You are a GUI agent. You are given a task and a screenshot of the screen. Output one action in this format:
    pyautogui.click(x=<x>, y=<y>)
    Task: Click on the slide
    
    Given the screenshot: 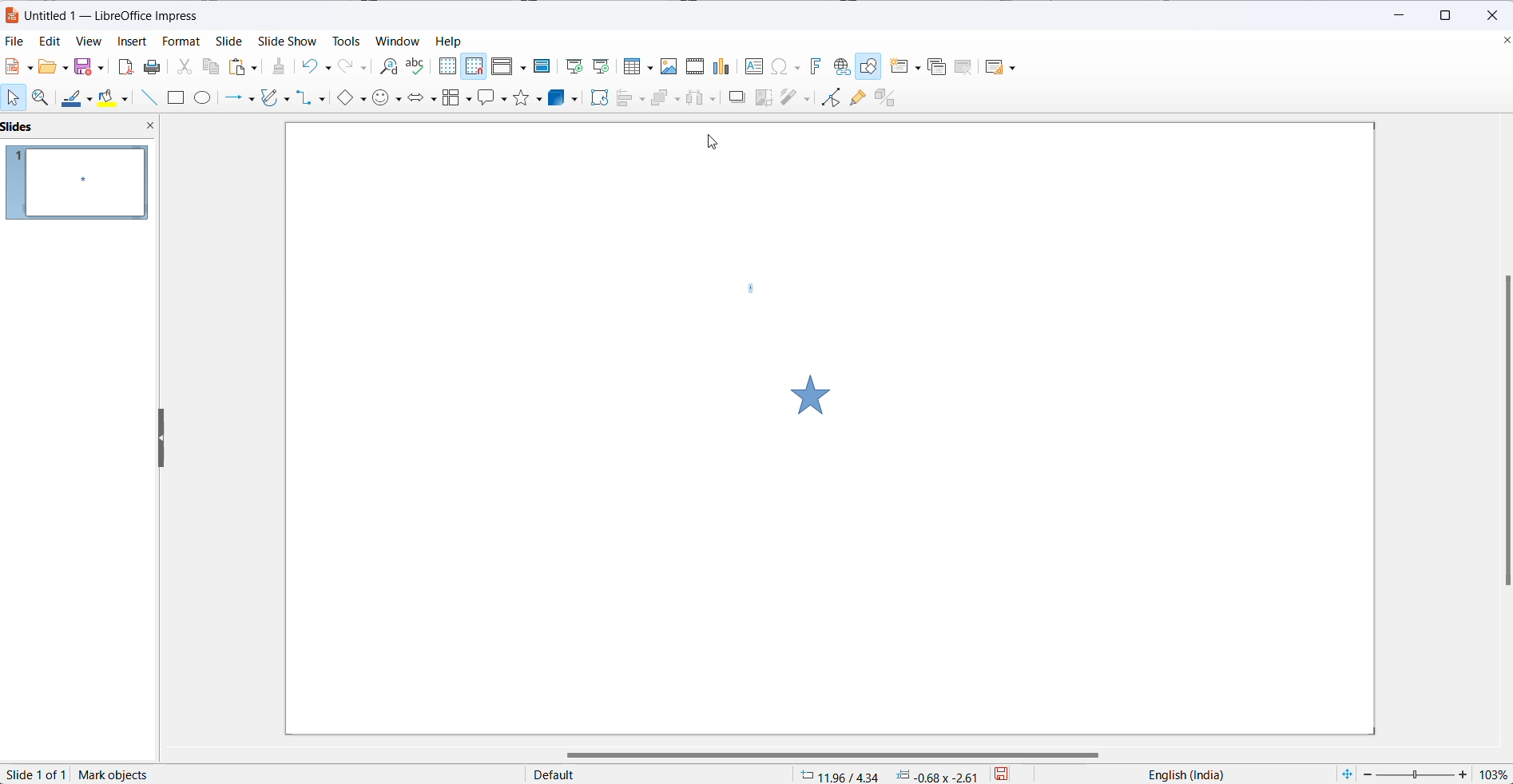 What is the action you would take?
    pyautogui.click(x=234, y=40)
    